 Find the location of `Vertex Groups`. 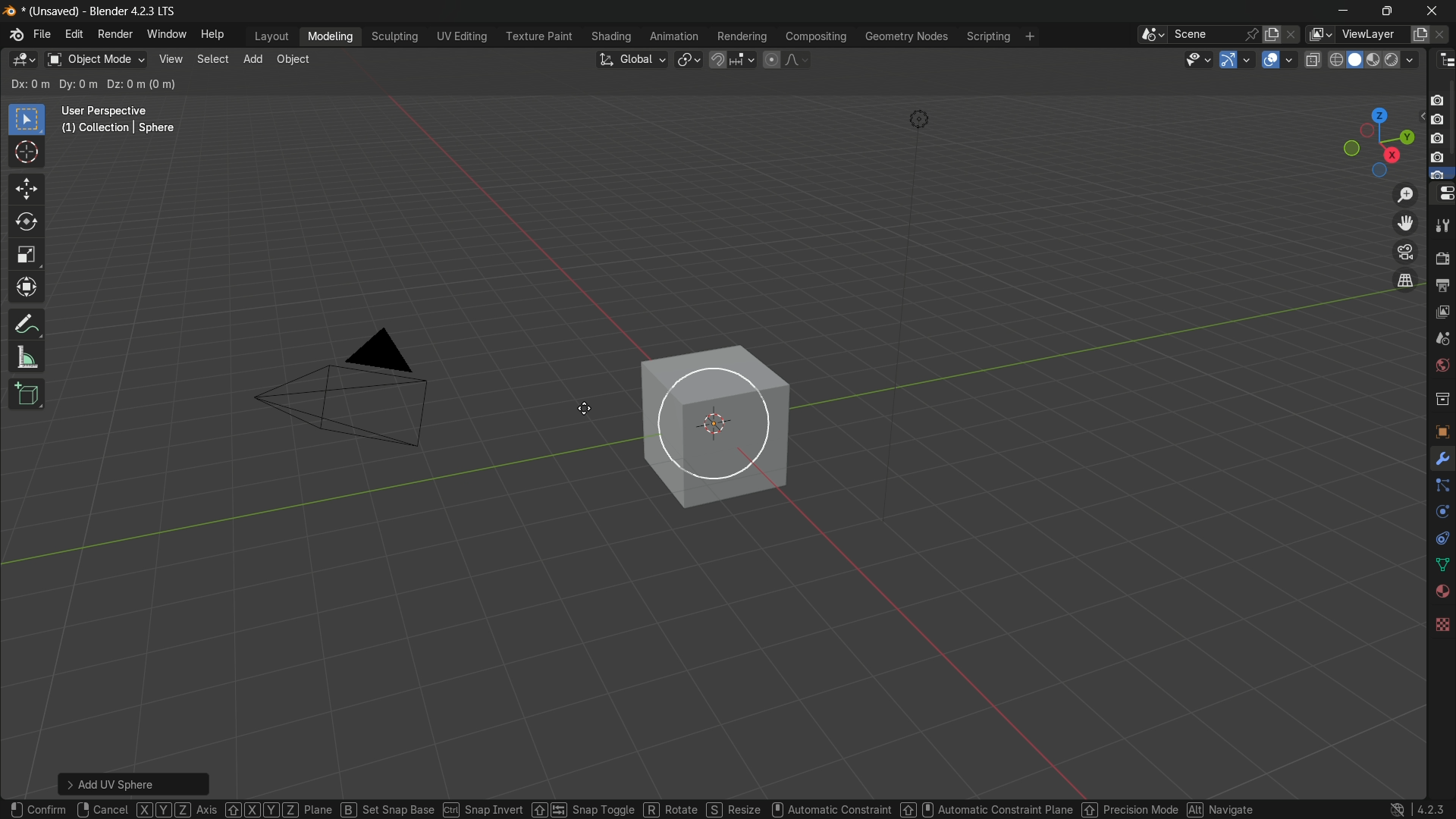

Vertex Groups is located at coordinates (1442, 589).